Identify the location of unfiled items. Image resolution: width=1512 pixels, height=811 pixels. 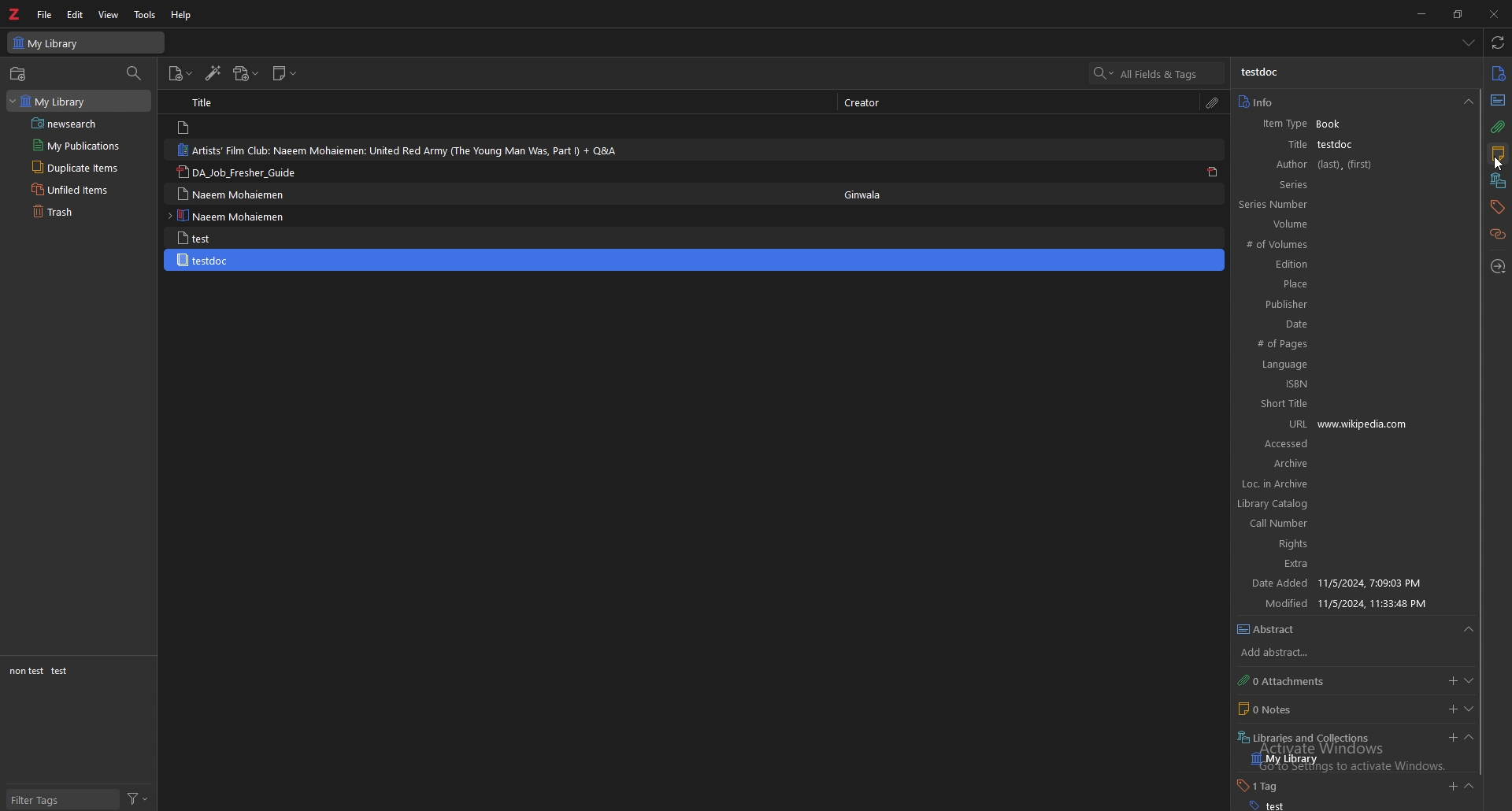
(81, 190).